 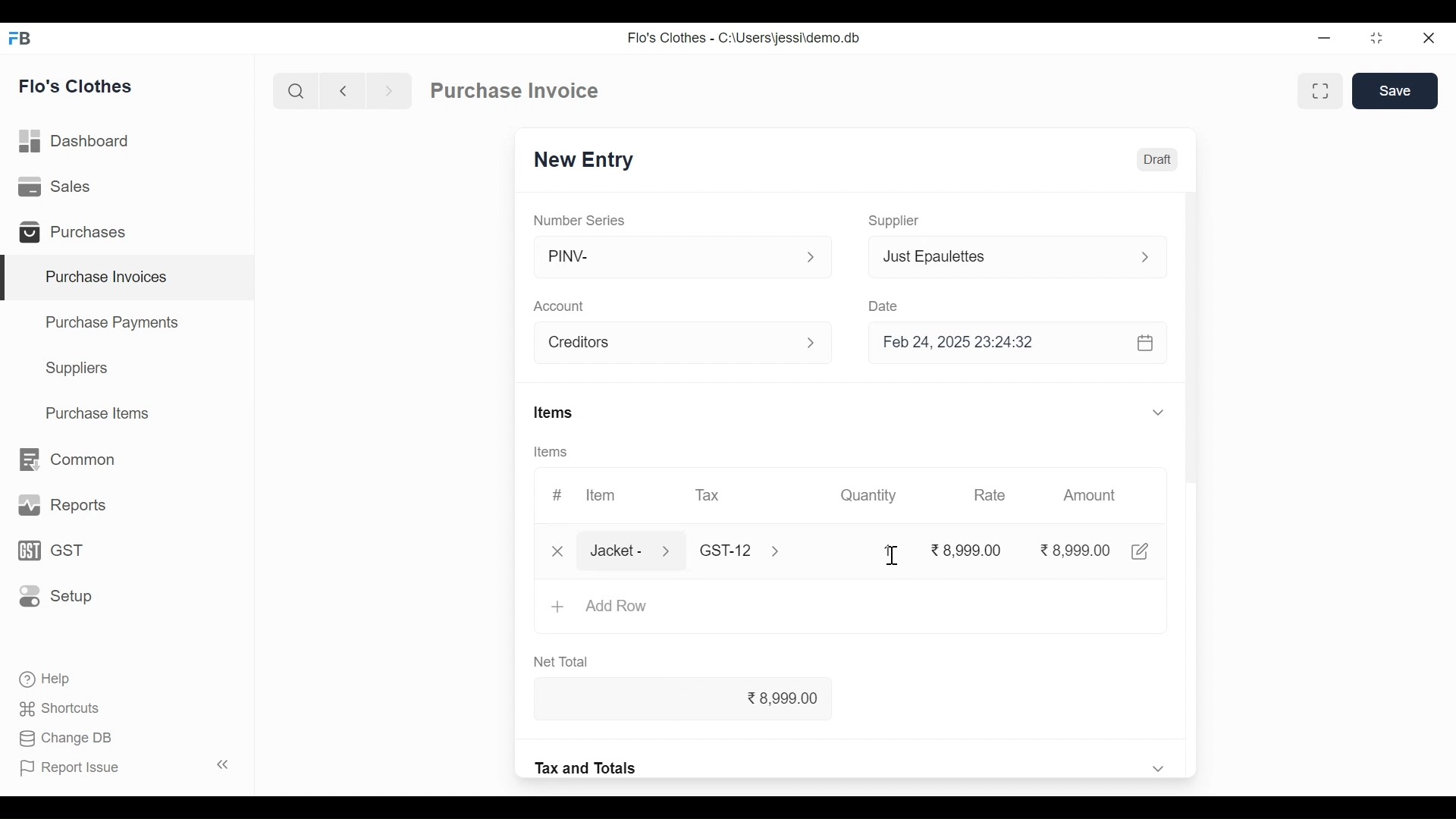 I want to click on Expand, so click(x=670, y=551).